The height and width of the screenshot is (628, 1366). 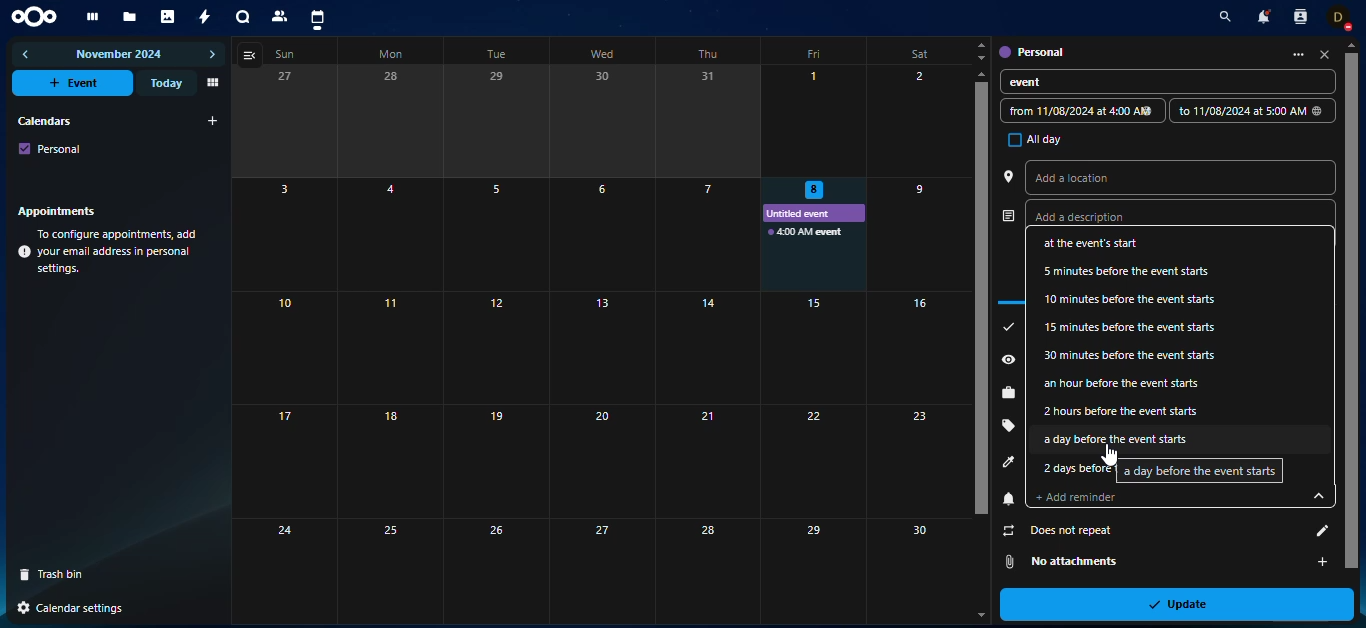 What do you see at coordinates (1130, 382) in the screenshot?
I see `1 hr` at bounding box center [1130, 382].